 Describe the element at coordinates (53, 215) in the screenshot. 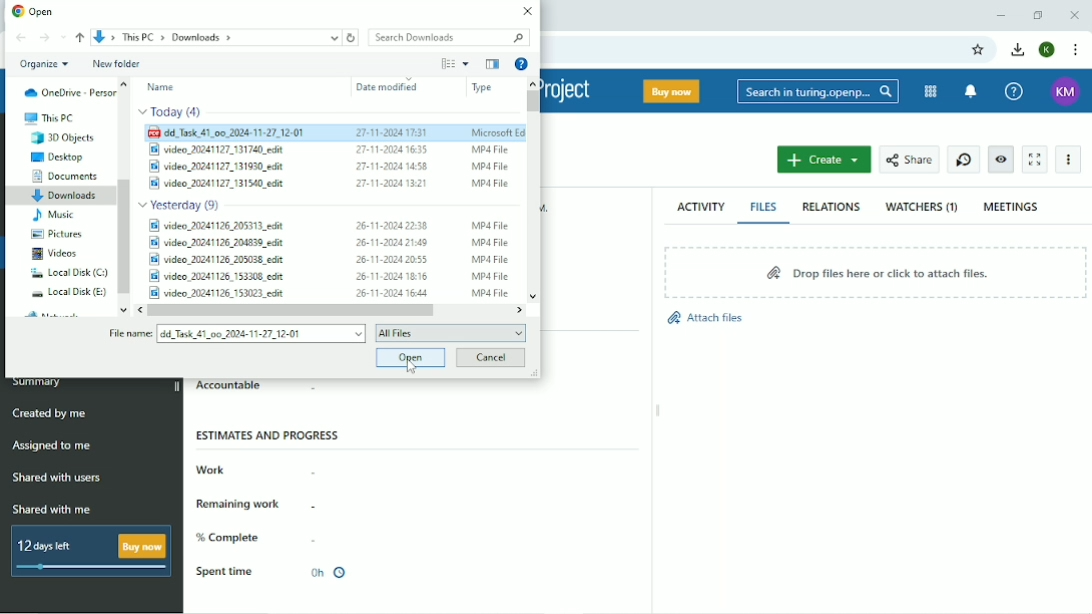

I see `Music` at that location.